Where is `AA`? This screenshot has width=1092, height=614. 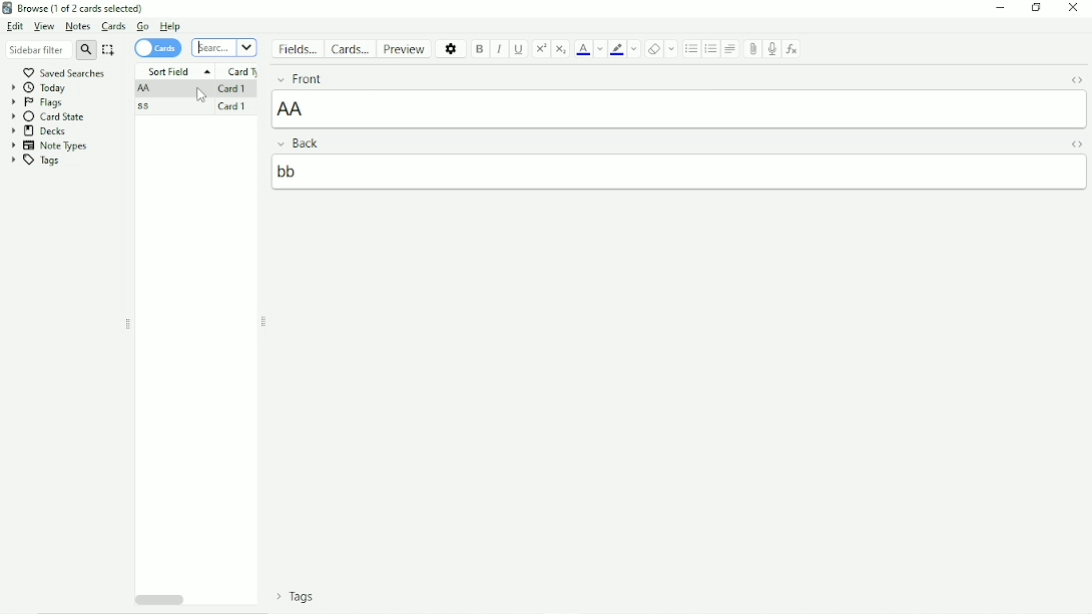
AA is located at coordinates (677, 112).